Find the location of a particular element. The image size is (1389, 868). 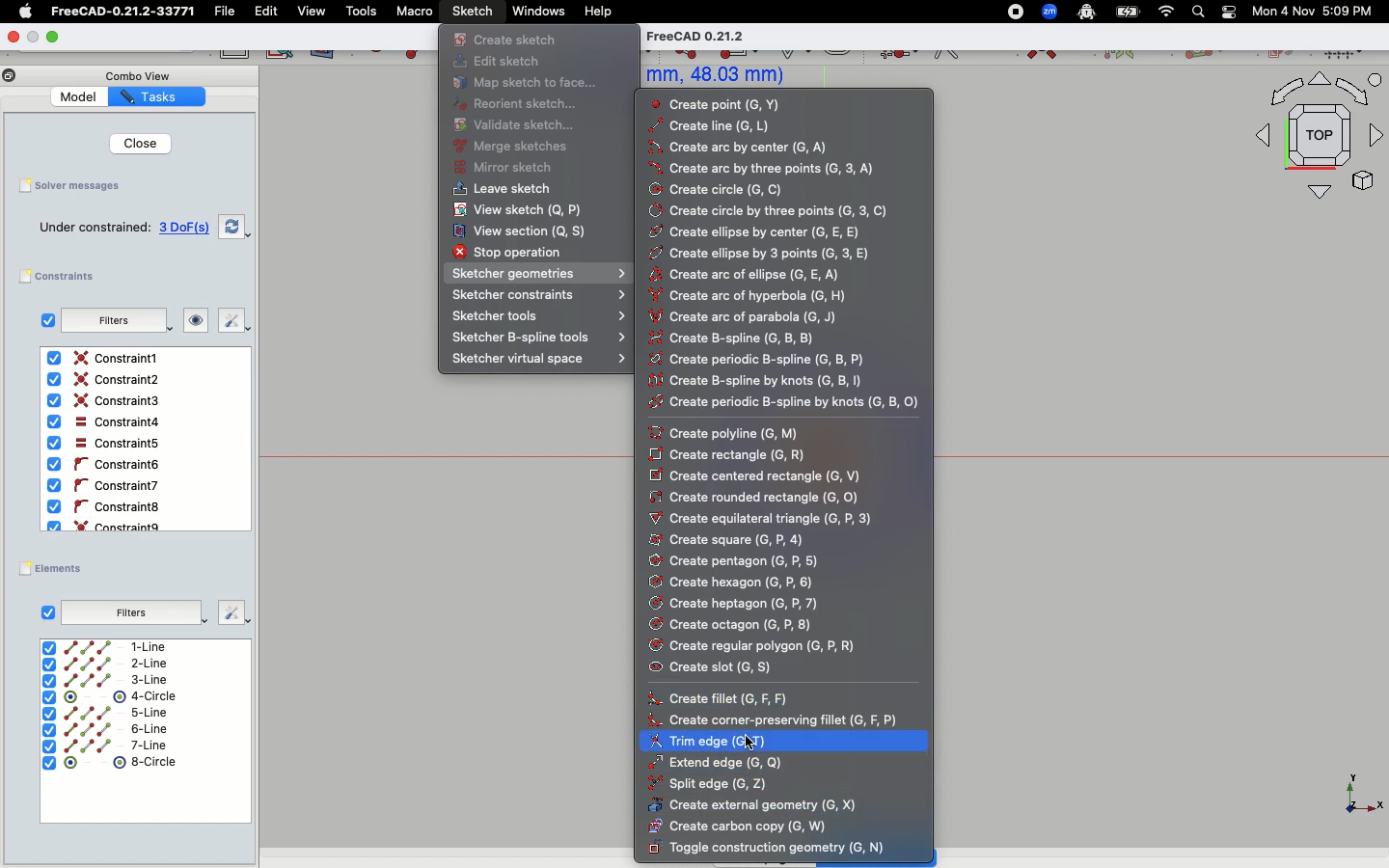

Edit is located at coordinates (266, 12).